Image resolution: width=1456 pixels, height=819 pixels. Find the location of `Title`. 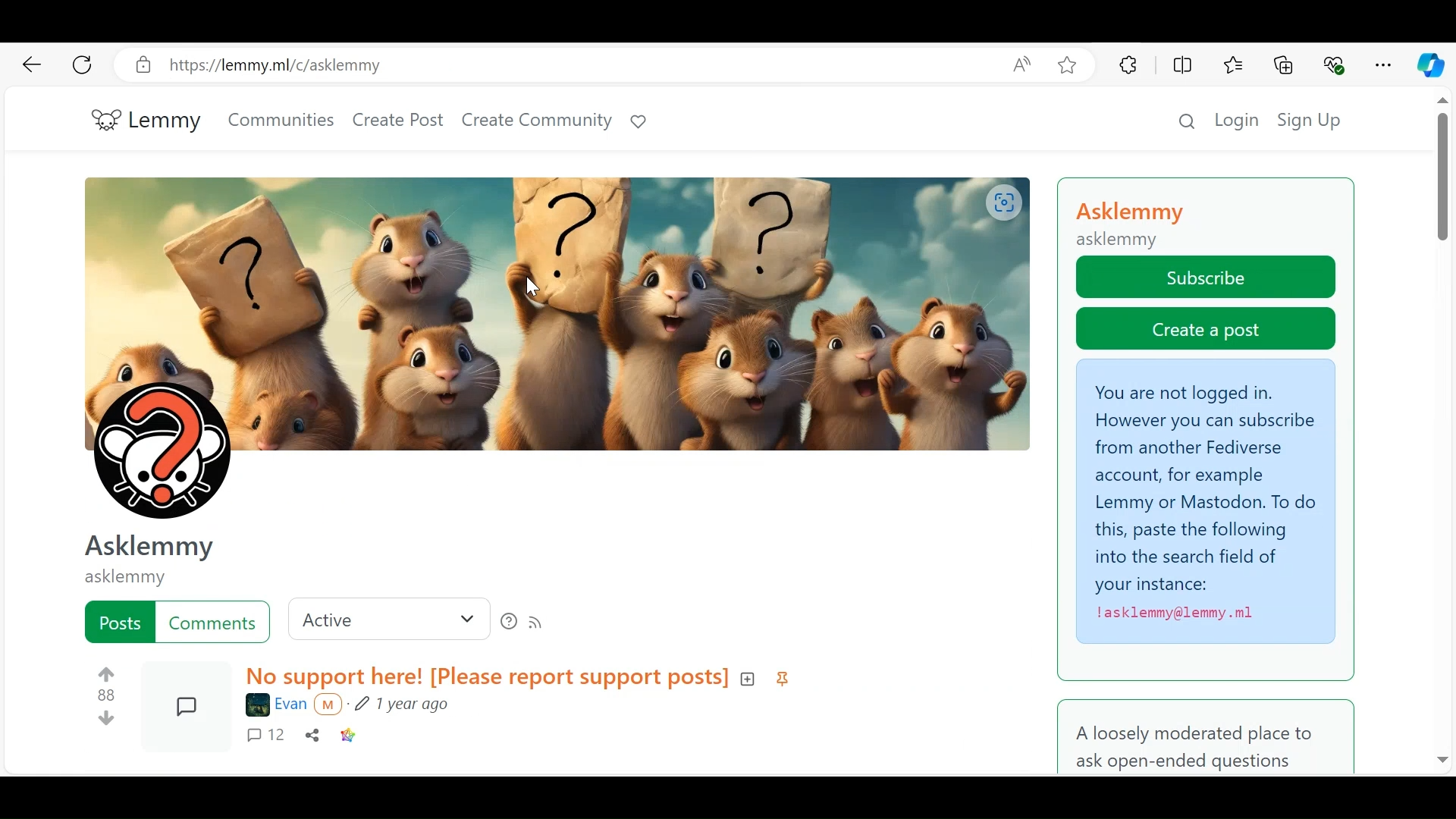

Title is located at coordinates (485, 678).